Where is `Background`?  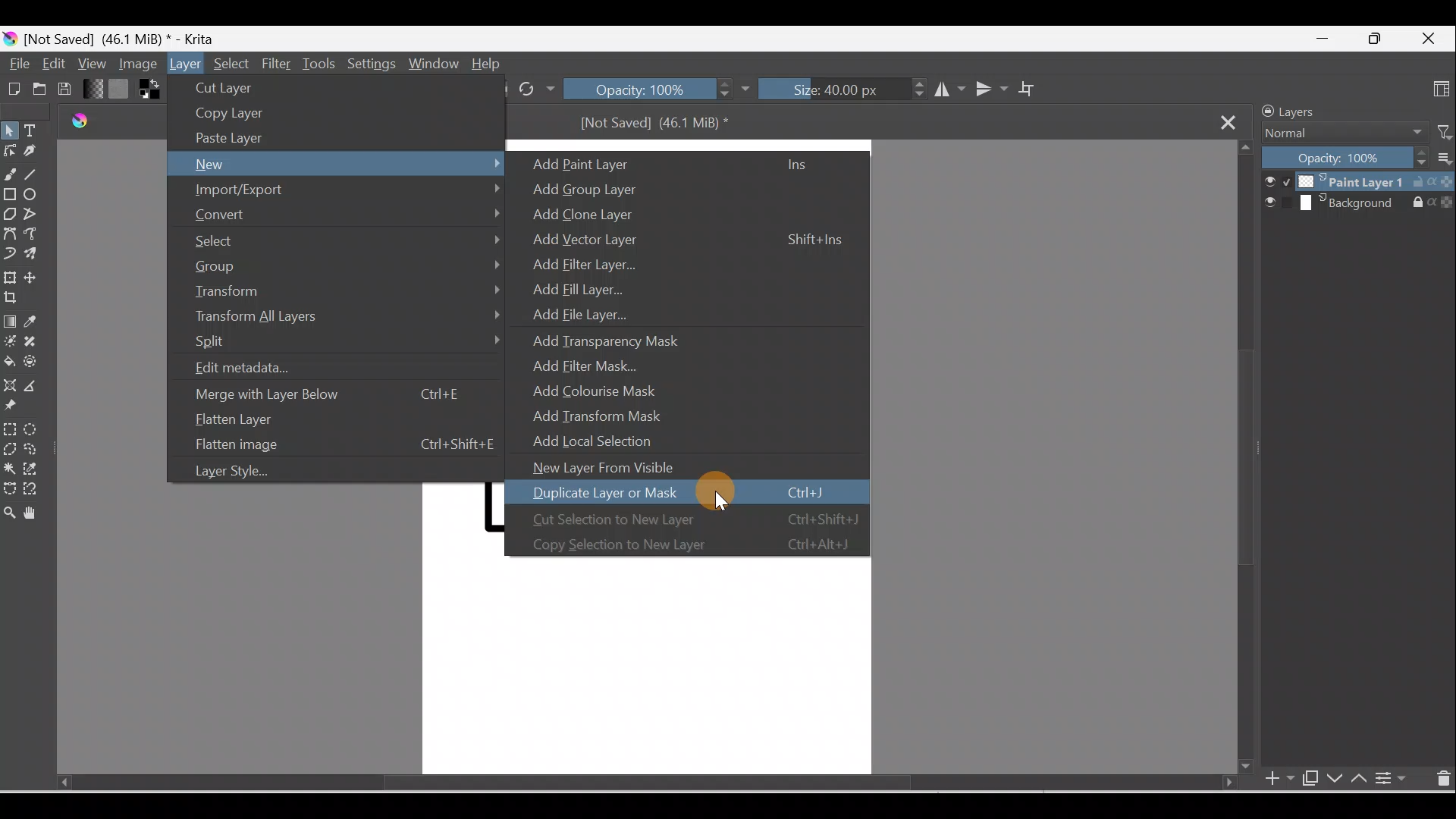 Background is located at coordinates (1359, 204).